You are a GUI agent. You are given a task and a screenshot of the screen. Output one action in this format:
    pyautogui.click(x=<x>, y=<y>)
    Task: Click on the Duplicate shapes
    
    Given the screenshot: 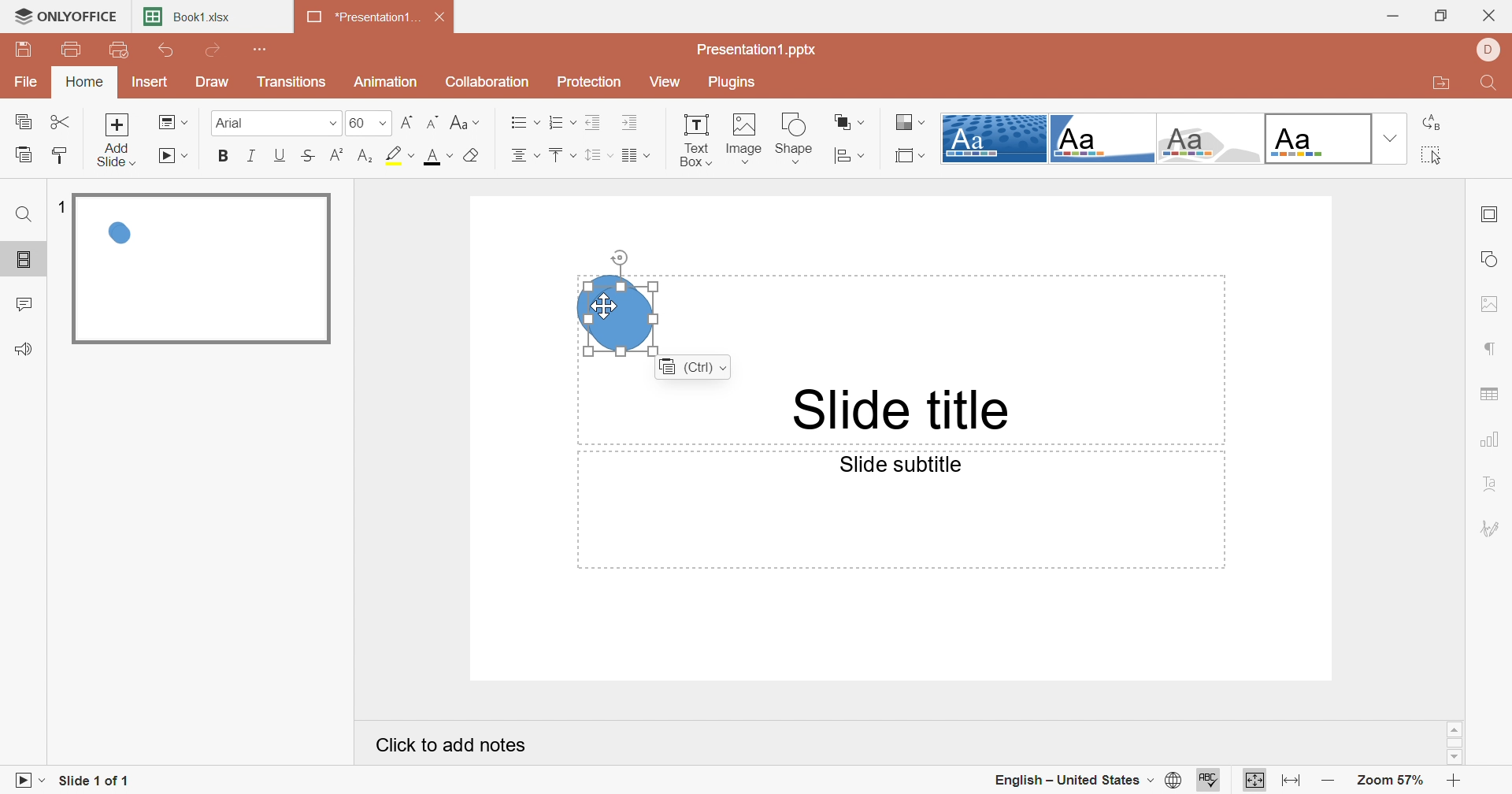 What is the action you would take?
    pyautogui.click(x=617, y=314)
    